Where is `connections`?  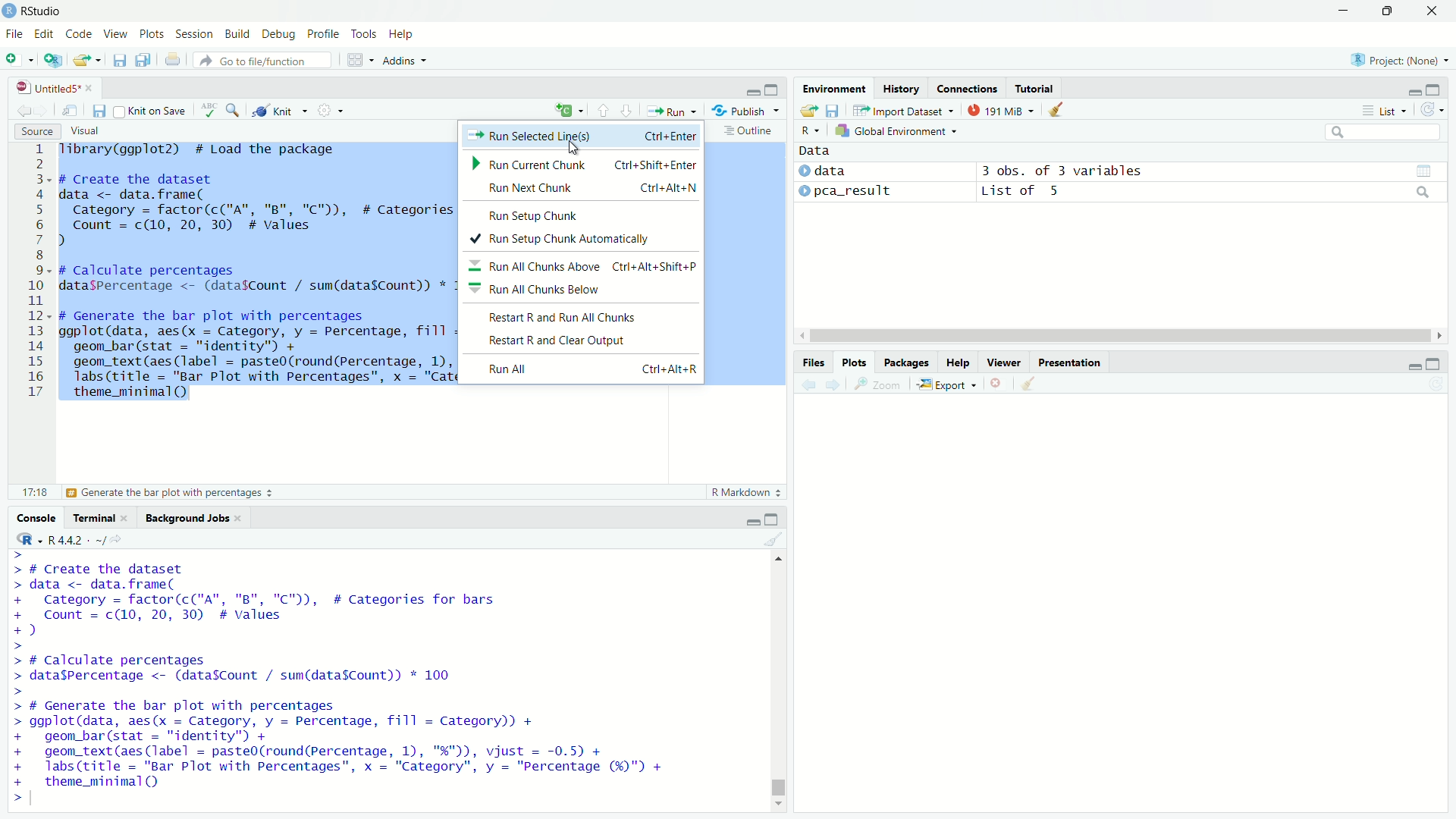 connections is located at coordinates (967, 89).